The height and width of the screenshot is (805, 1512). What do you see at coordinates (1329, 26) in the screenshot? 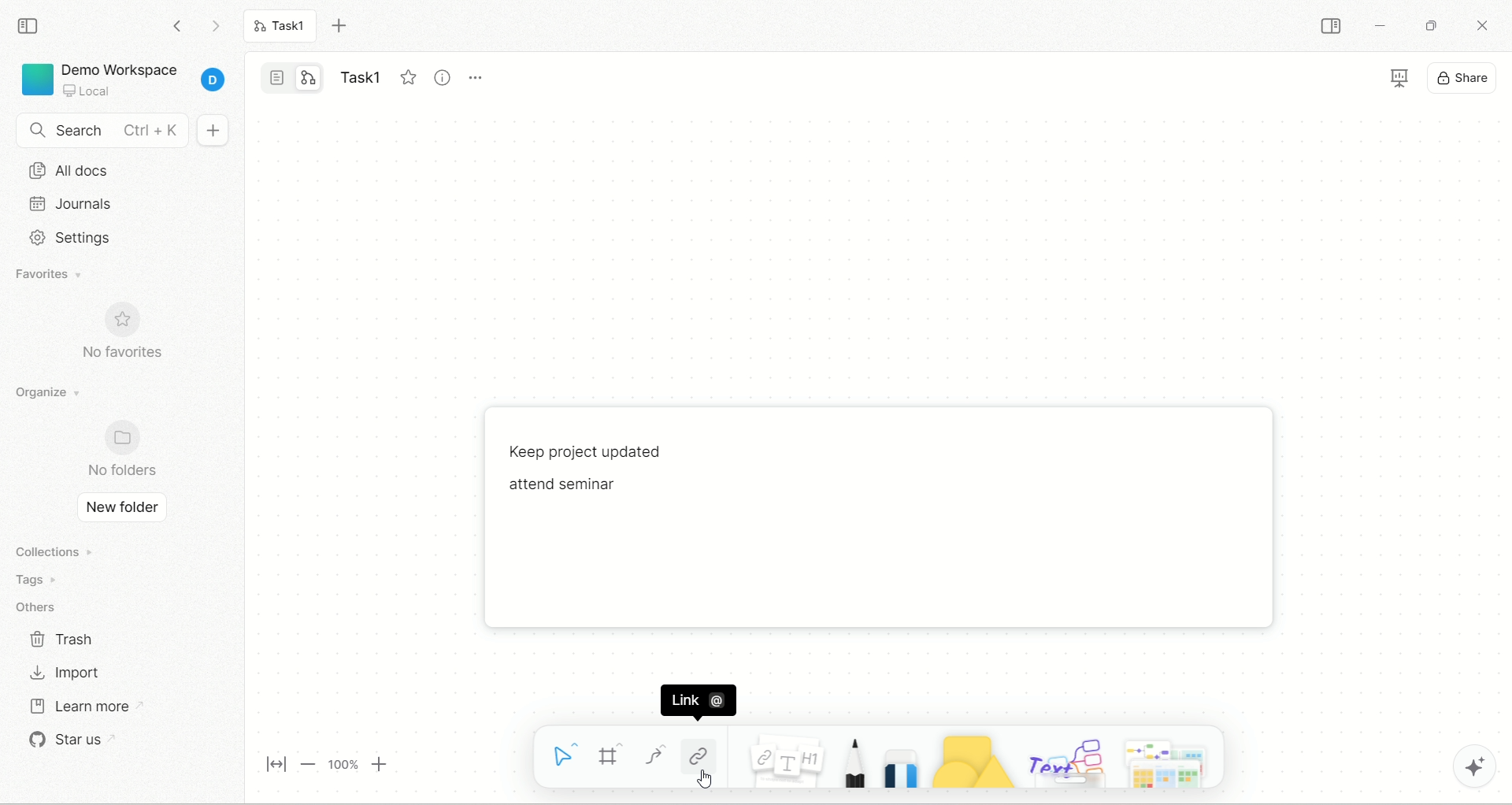
I see `collapse sidebar` at bounding box center [1329, 26].